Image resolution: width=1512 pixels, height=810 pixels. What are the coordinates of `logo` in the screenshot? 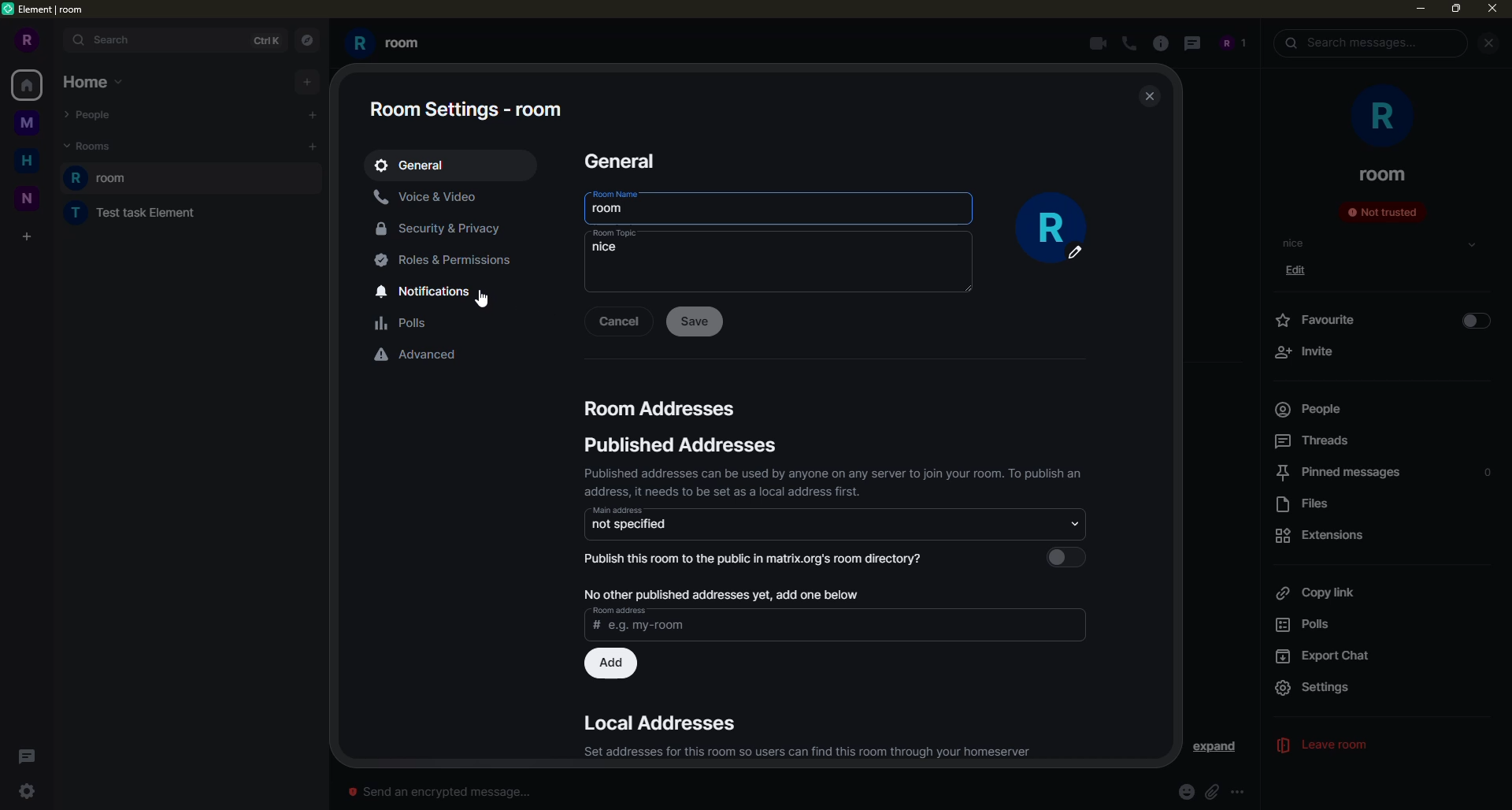 It's located at (10, 10).